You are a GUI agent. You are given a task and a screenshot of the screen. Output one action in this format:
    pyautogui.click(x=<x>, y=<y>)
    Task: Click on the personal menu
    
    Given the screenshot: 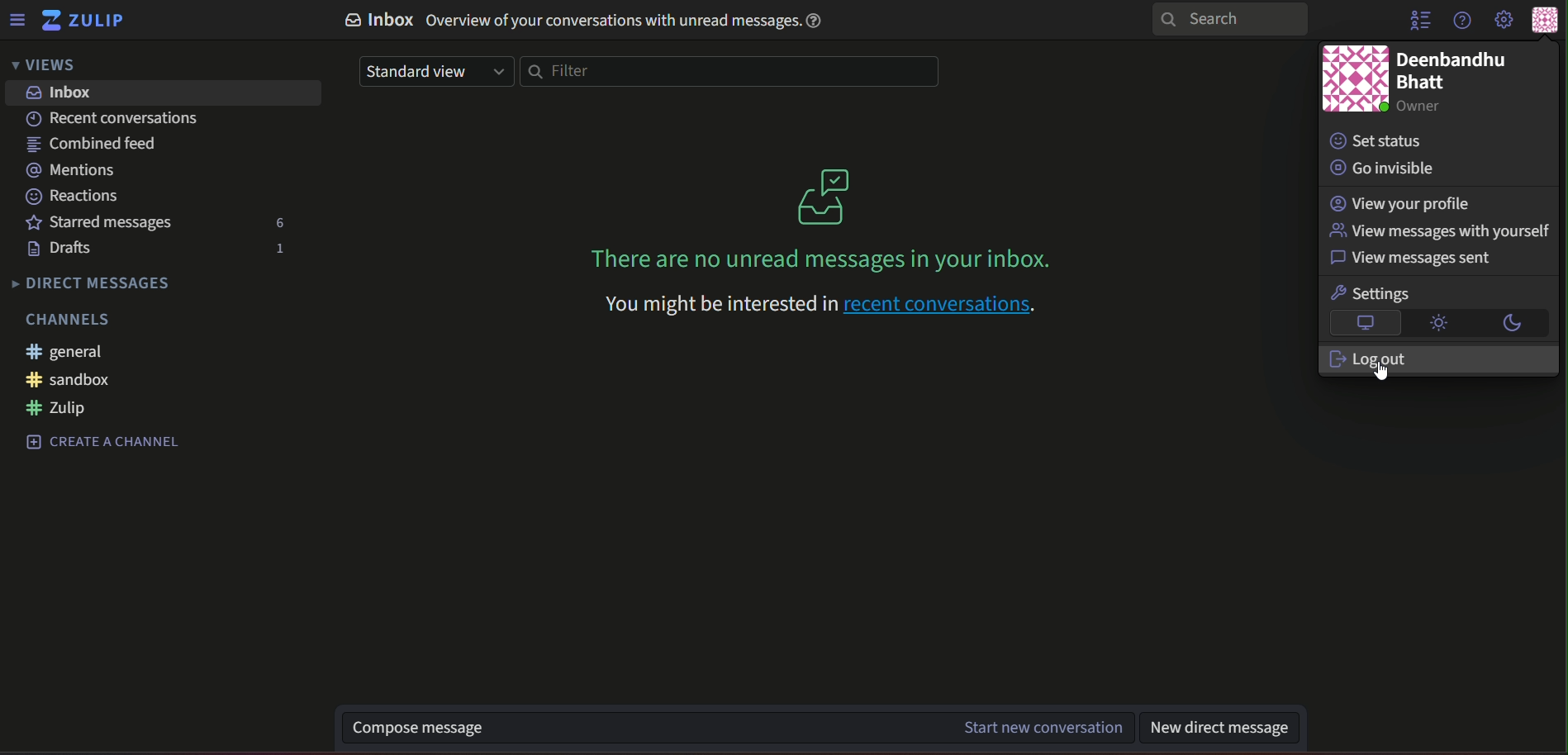 What is the action you would take?
    pyautogui.click(x=1543, y=23)
    